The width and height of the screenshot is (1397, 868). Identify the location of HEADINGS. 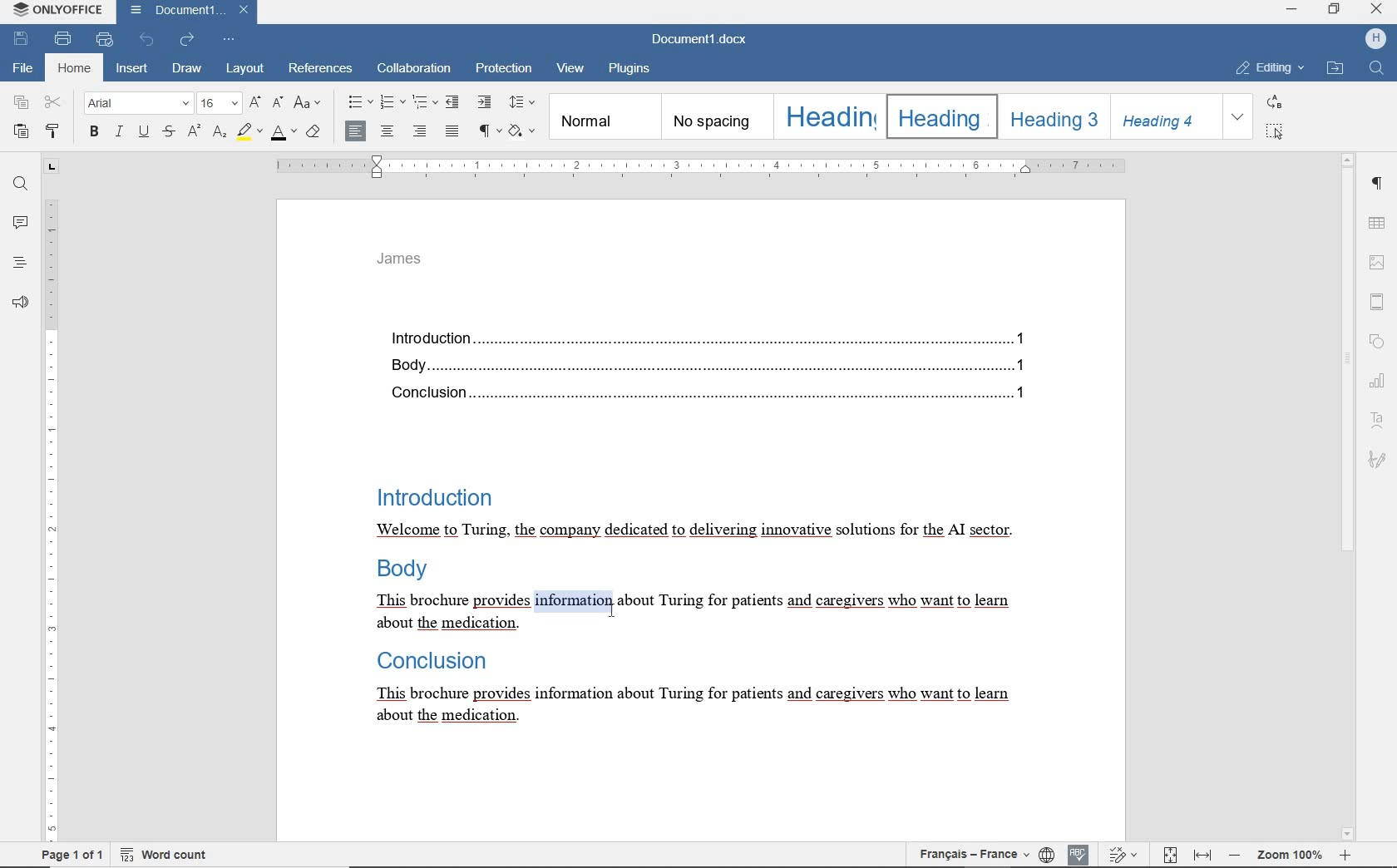
(18, 262).